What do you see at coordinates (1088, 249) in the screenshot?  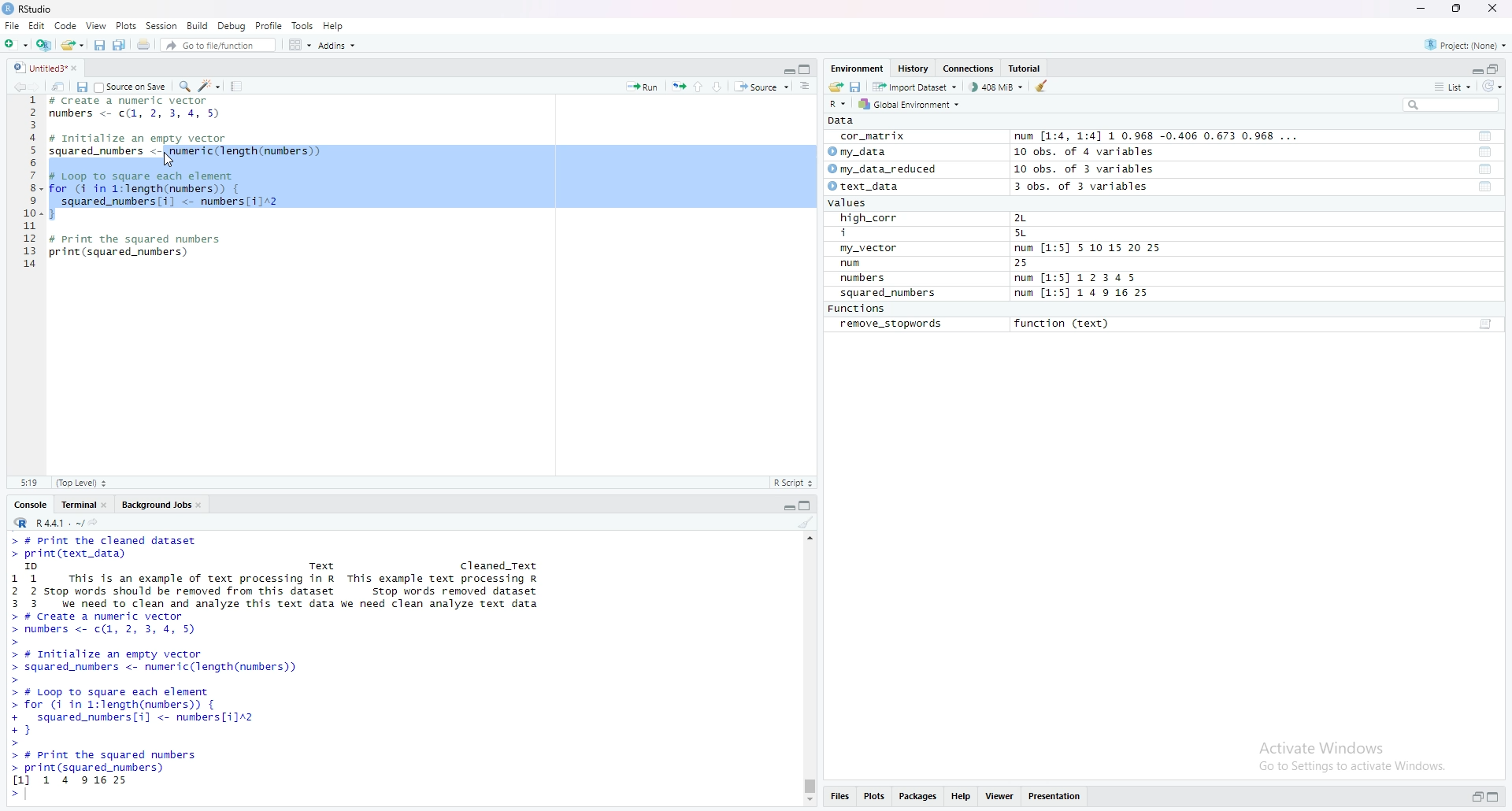 I see `num [1:5] S 10 15 20 25` at bounding box center [1088, 249].